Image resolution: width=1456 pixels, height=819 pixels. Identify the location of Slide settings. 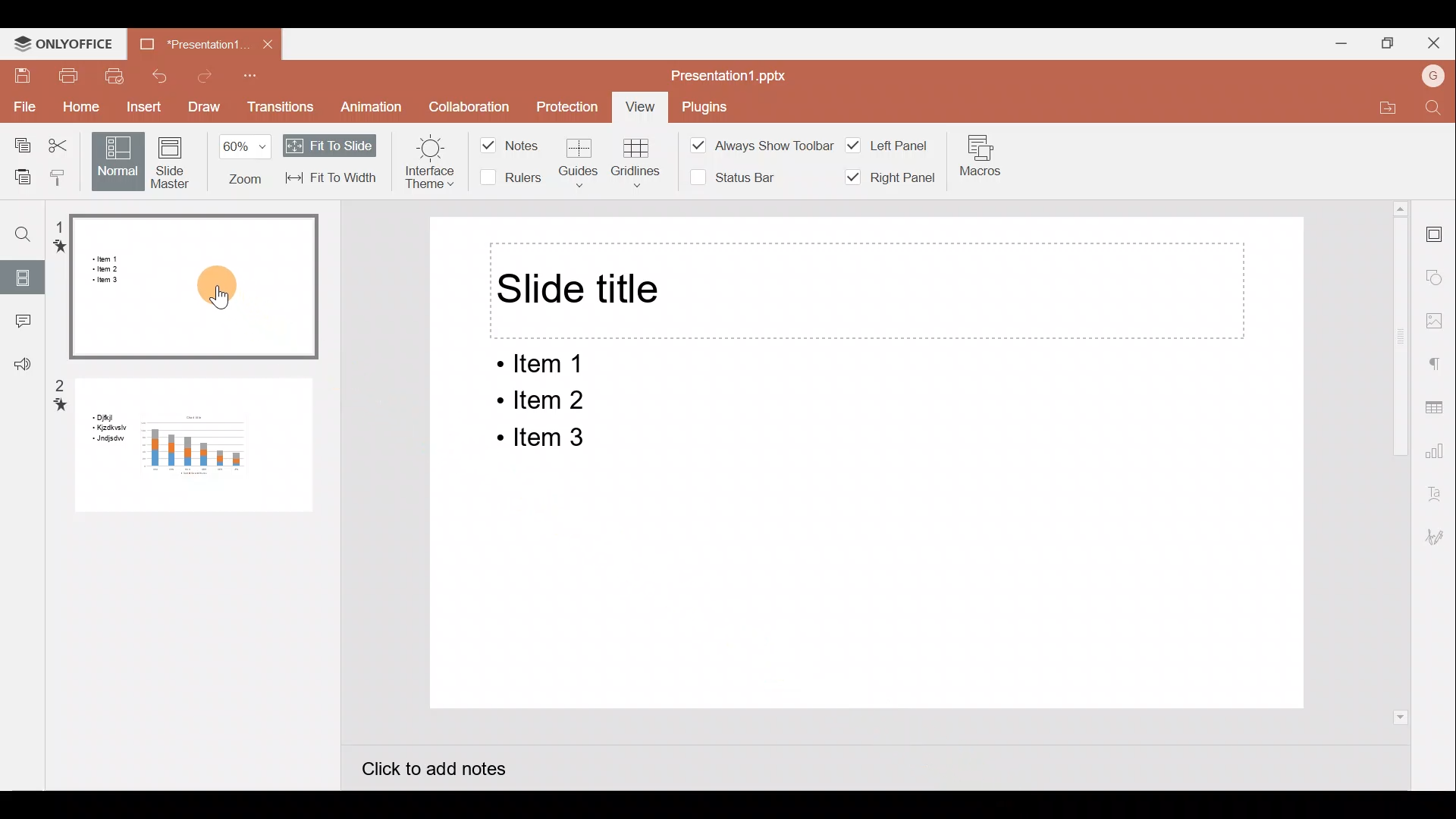
(1439, 231).